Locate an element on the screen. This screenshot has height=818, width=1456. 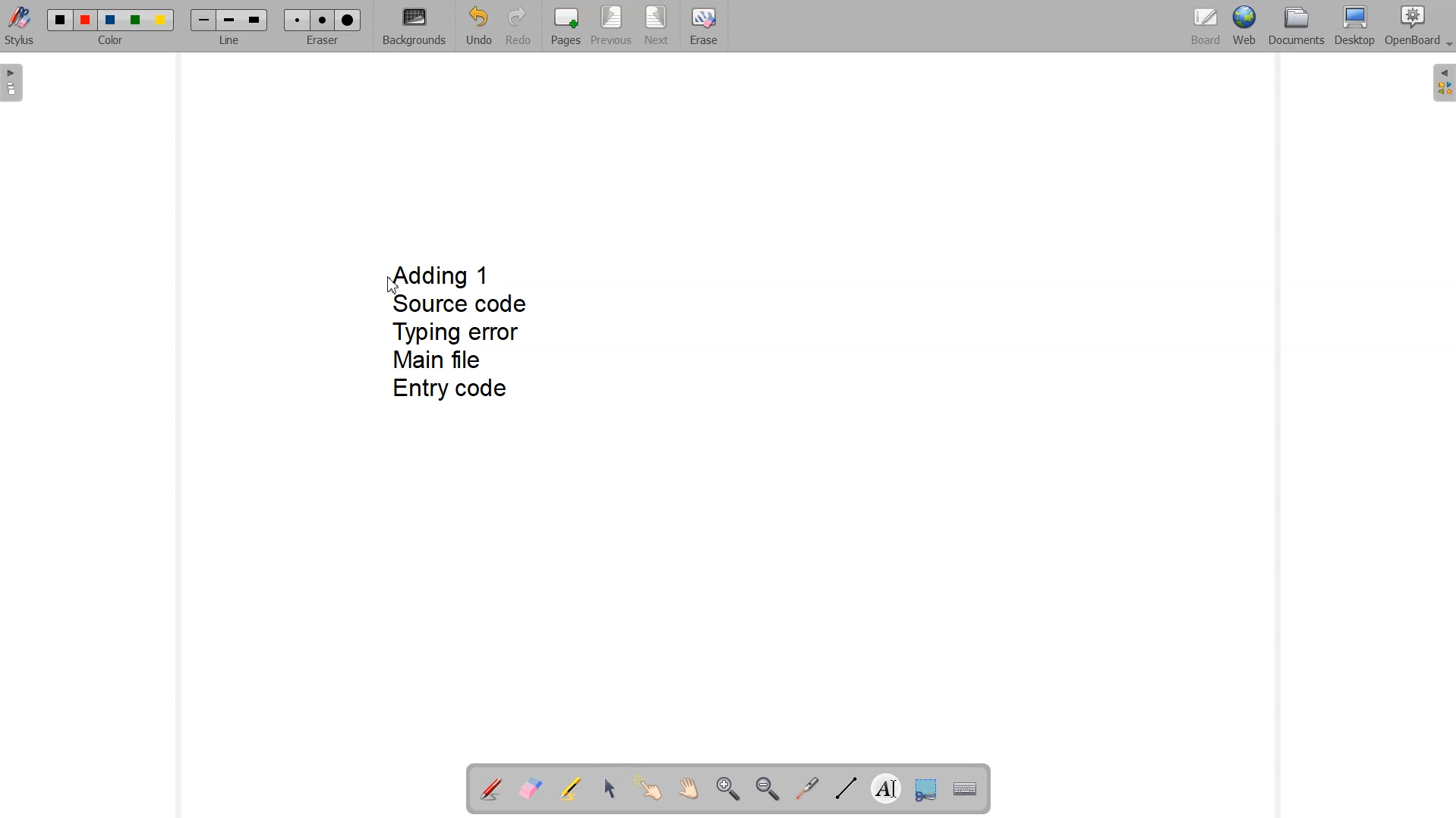
Desktop is located at coordinates (1355, 27).